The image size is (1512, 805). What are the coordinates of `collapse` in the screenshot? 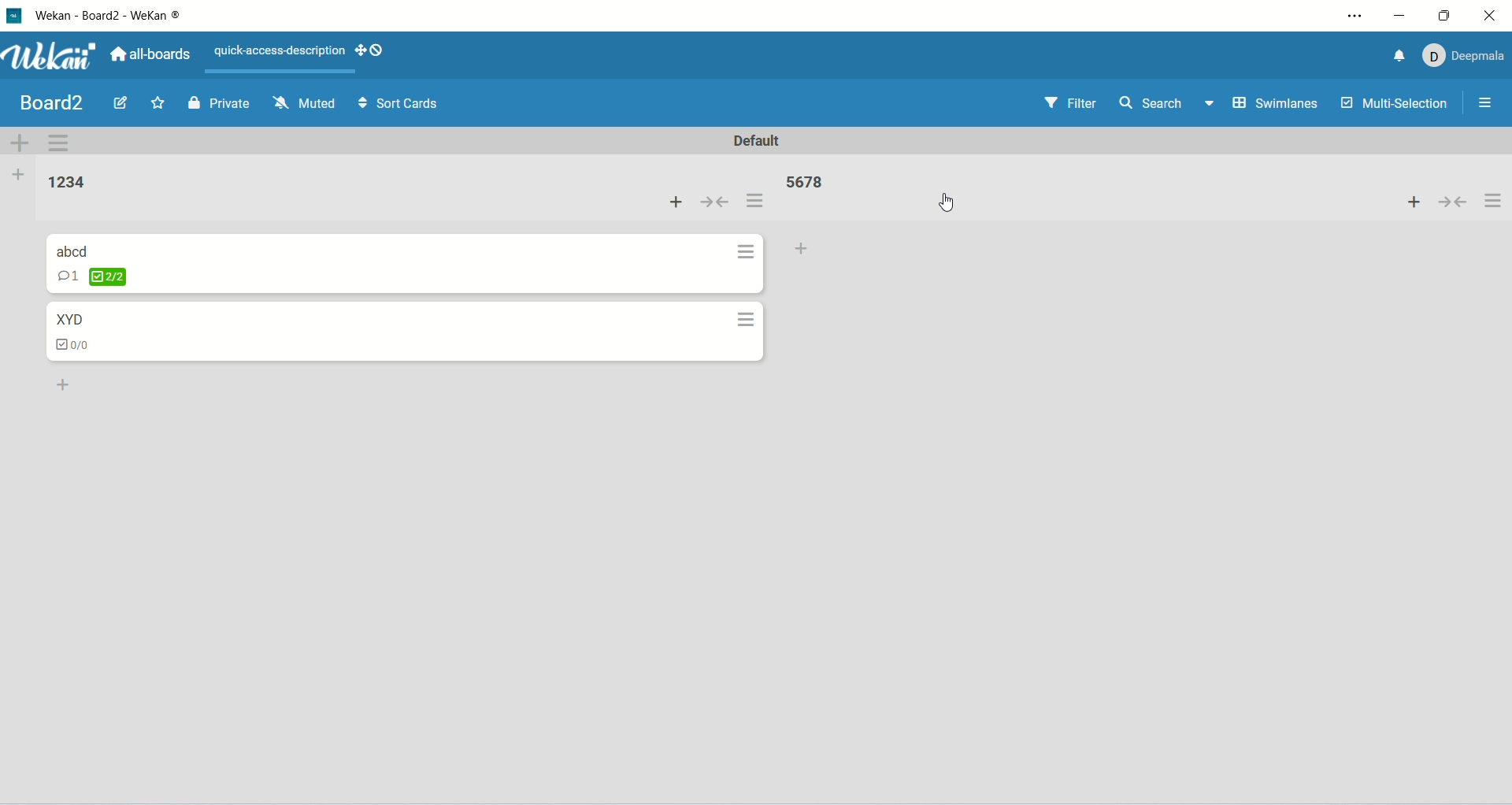 It's located at (1456, 204).